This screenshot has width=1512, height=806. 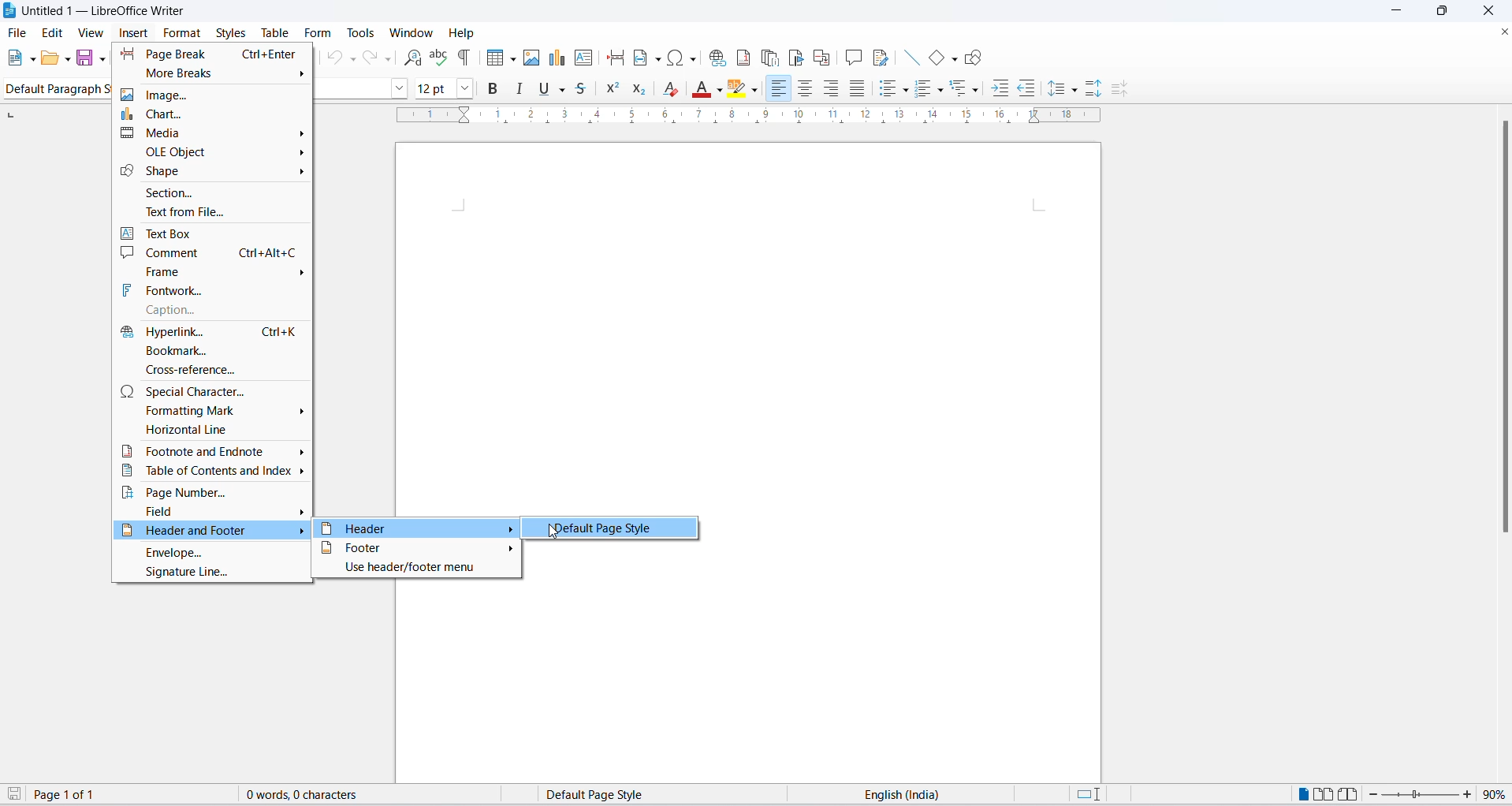 What do you see at coordinates (879, 57) in the screenshot?
I see `show track changes functions` at bounding box center [879, 57].